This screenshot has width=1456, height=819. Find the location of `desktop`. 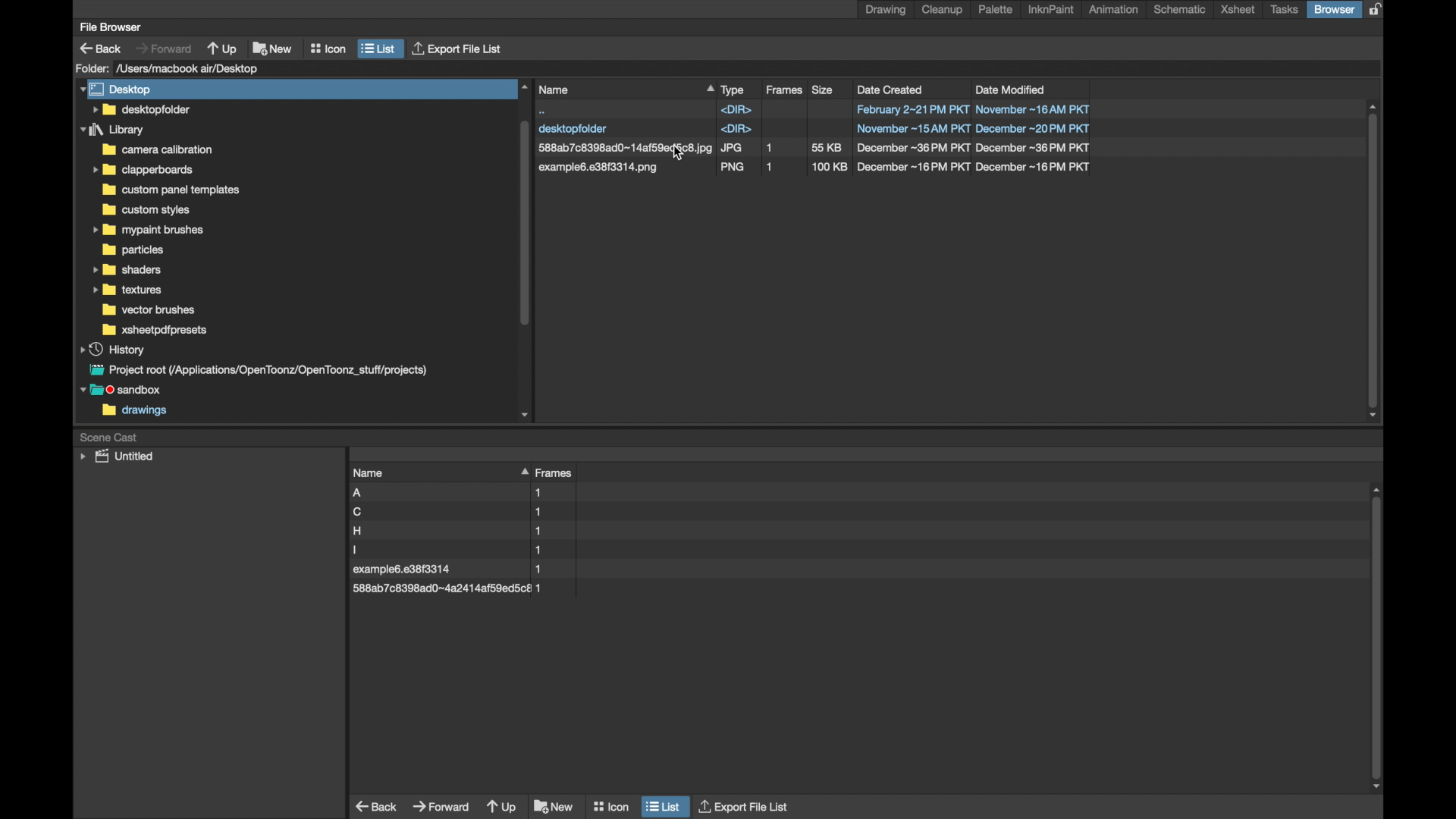

desktop is located at coordinates (118, 89).